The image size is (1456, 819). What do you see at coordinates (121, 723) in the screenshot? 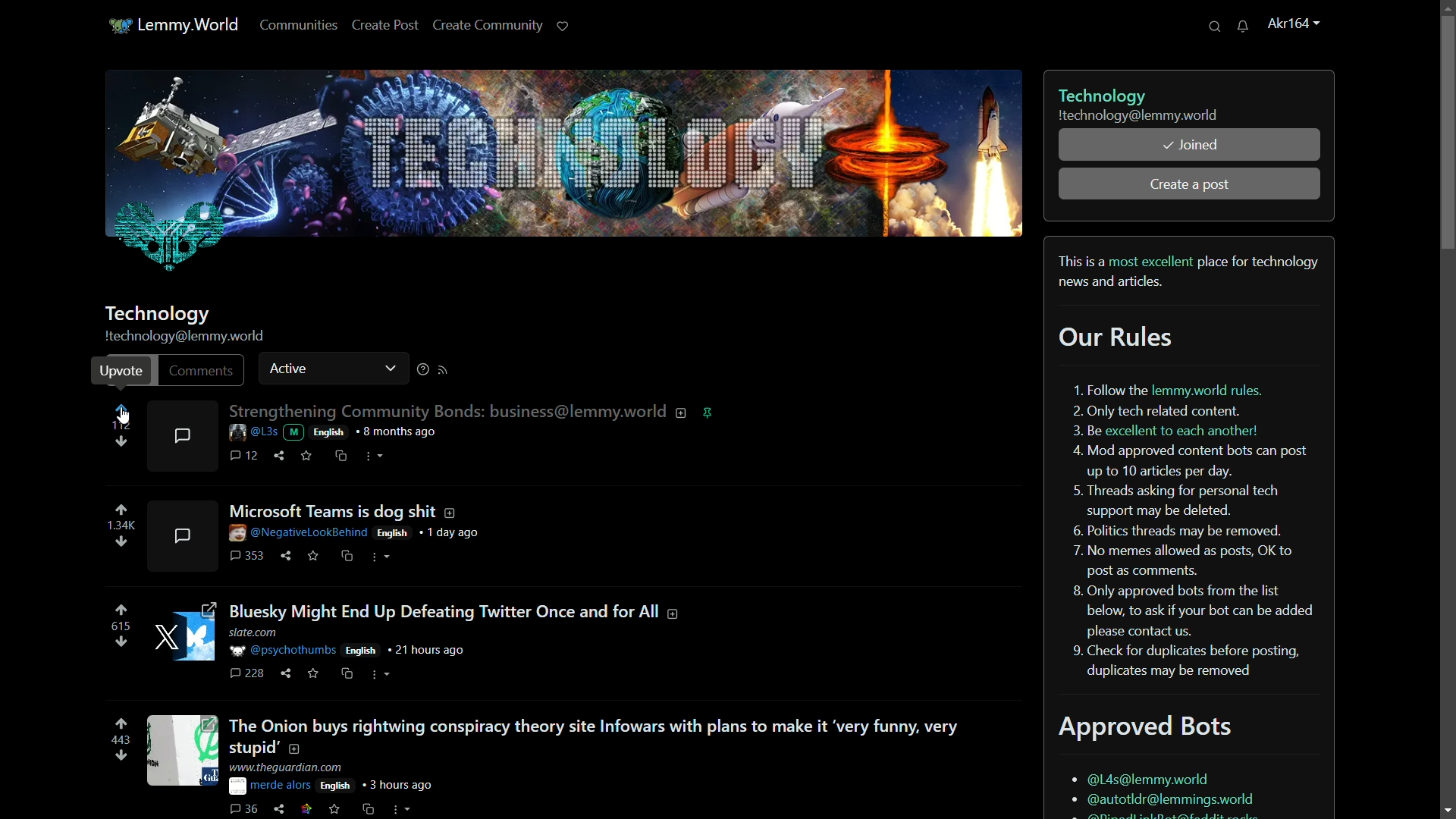
I see `upvote` at bounding box center [121, 723].